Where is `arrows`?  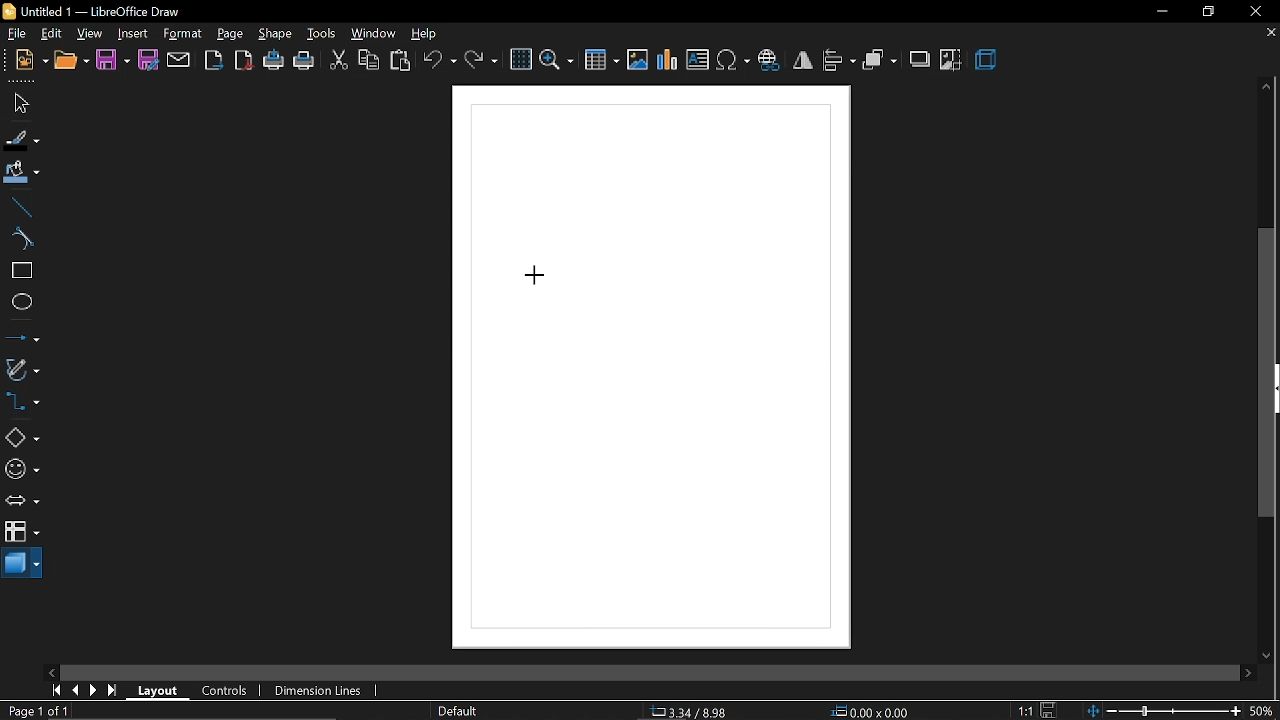 arrows is located at coordinates (22, 500).